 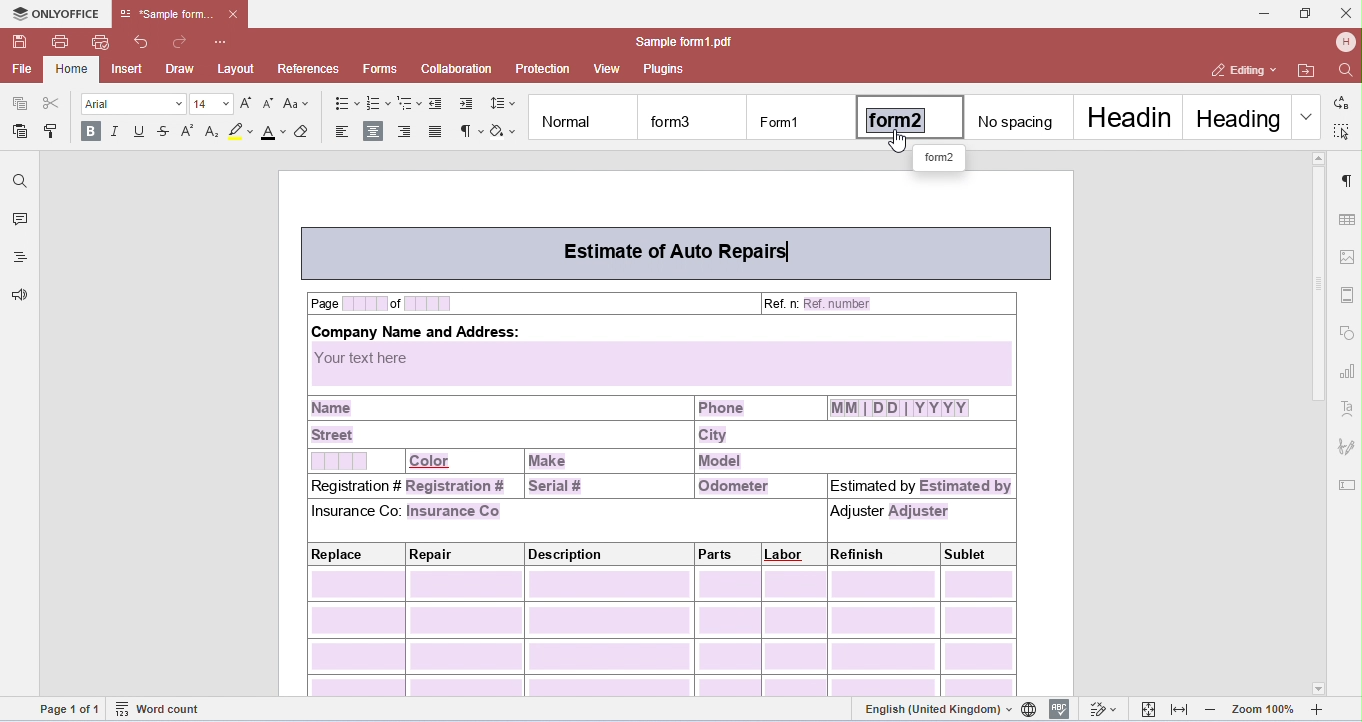 I want to click on background color, so click(x=241, y=133).